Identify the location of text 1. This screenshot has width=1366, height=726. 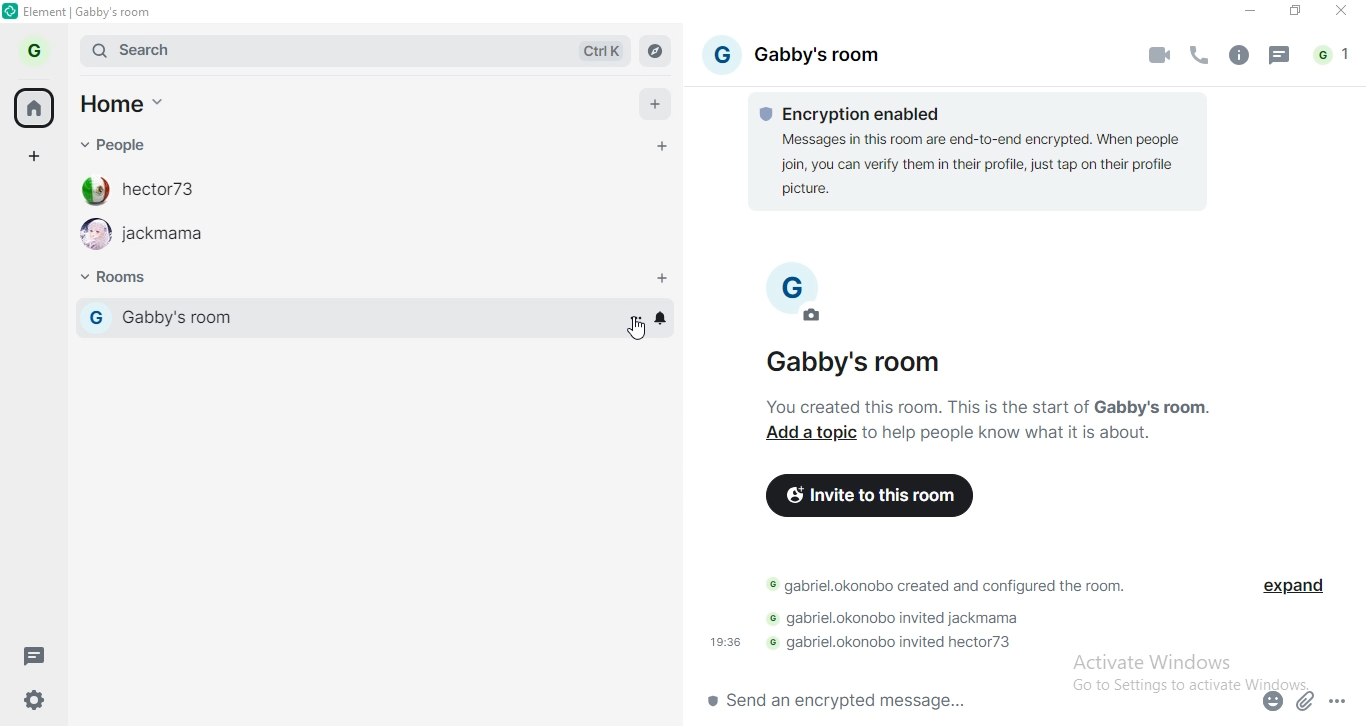
(970, 153).